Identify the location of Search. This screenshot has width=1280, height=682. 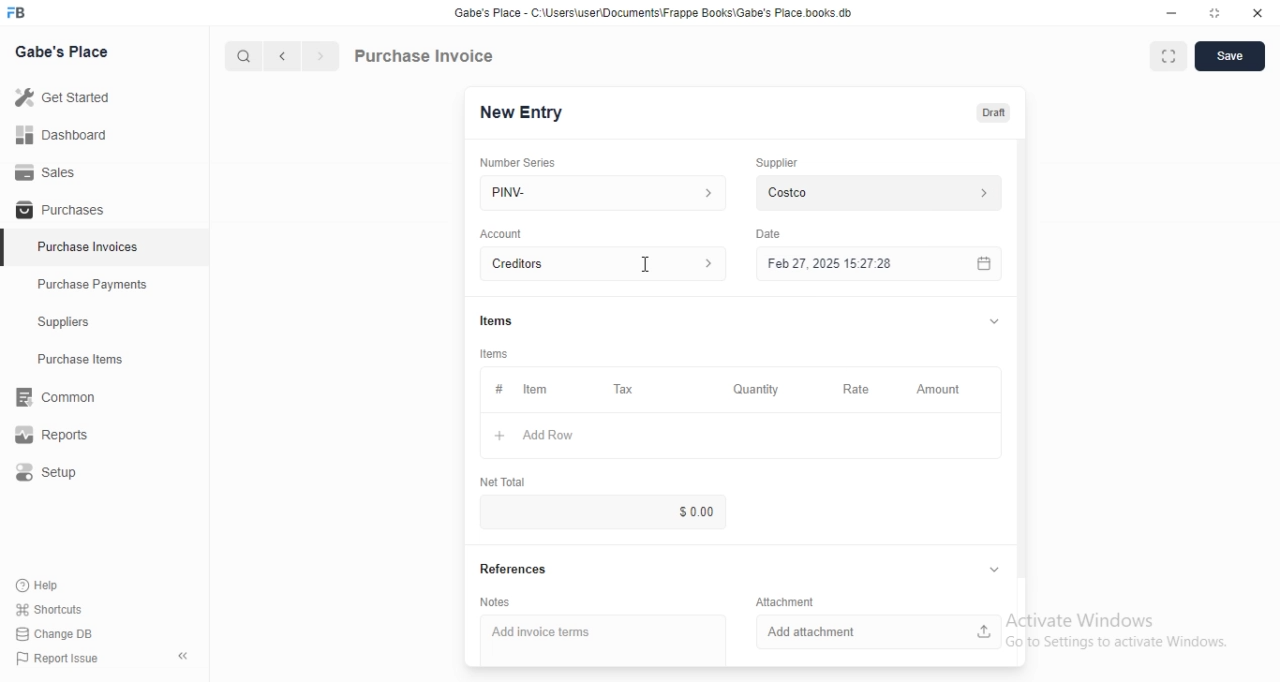
(243, 56).